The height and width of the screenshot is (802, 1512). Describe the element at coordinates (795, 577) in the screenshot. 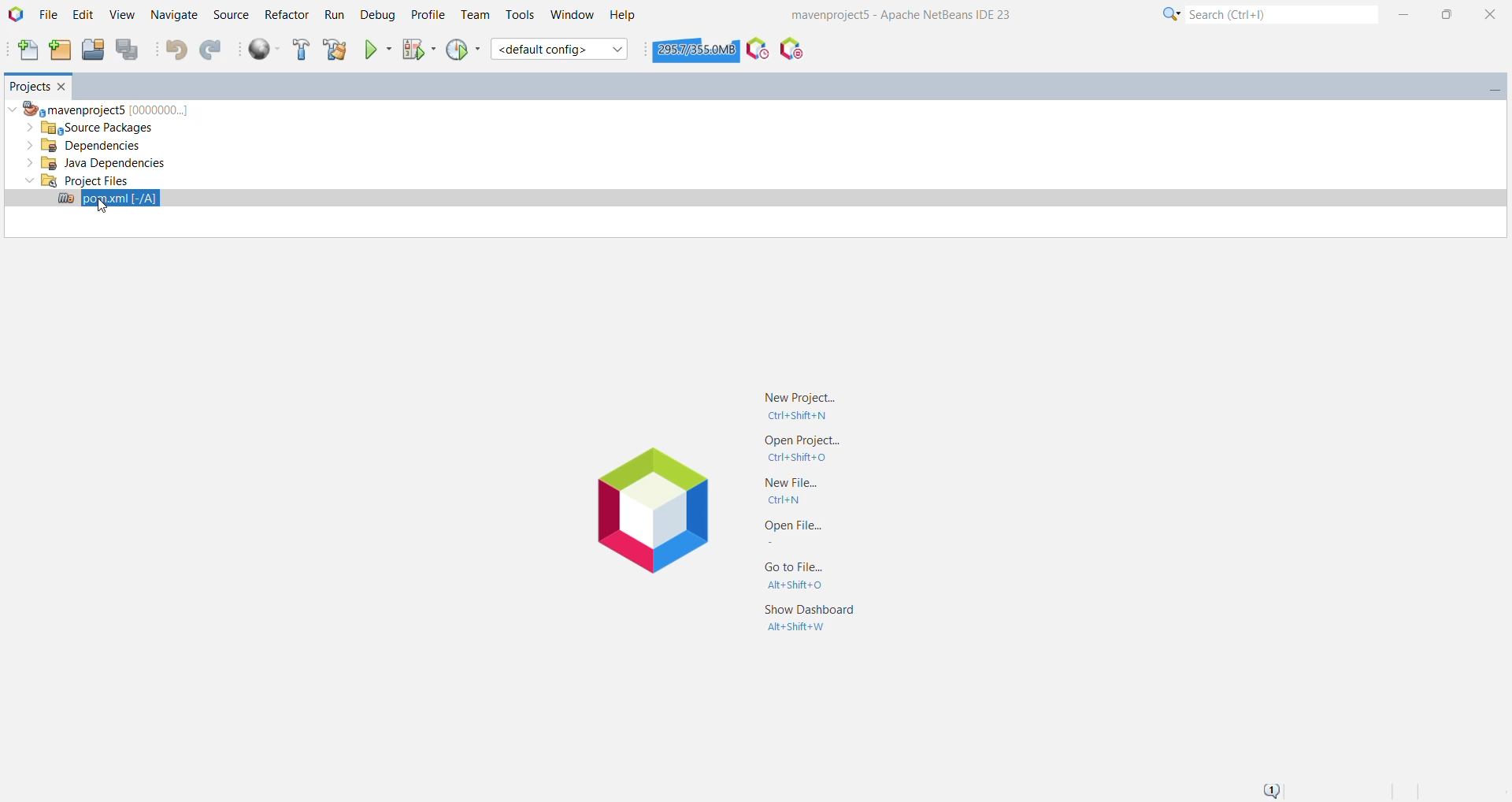

I see `Go to File` at that location.